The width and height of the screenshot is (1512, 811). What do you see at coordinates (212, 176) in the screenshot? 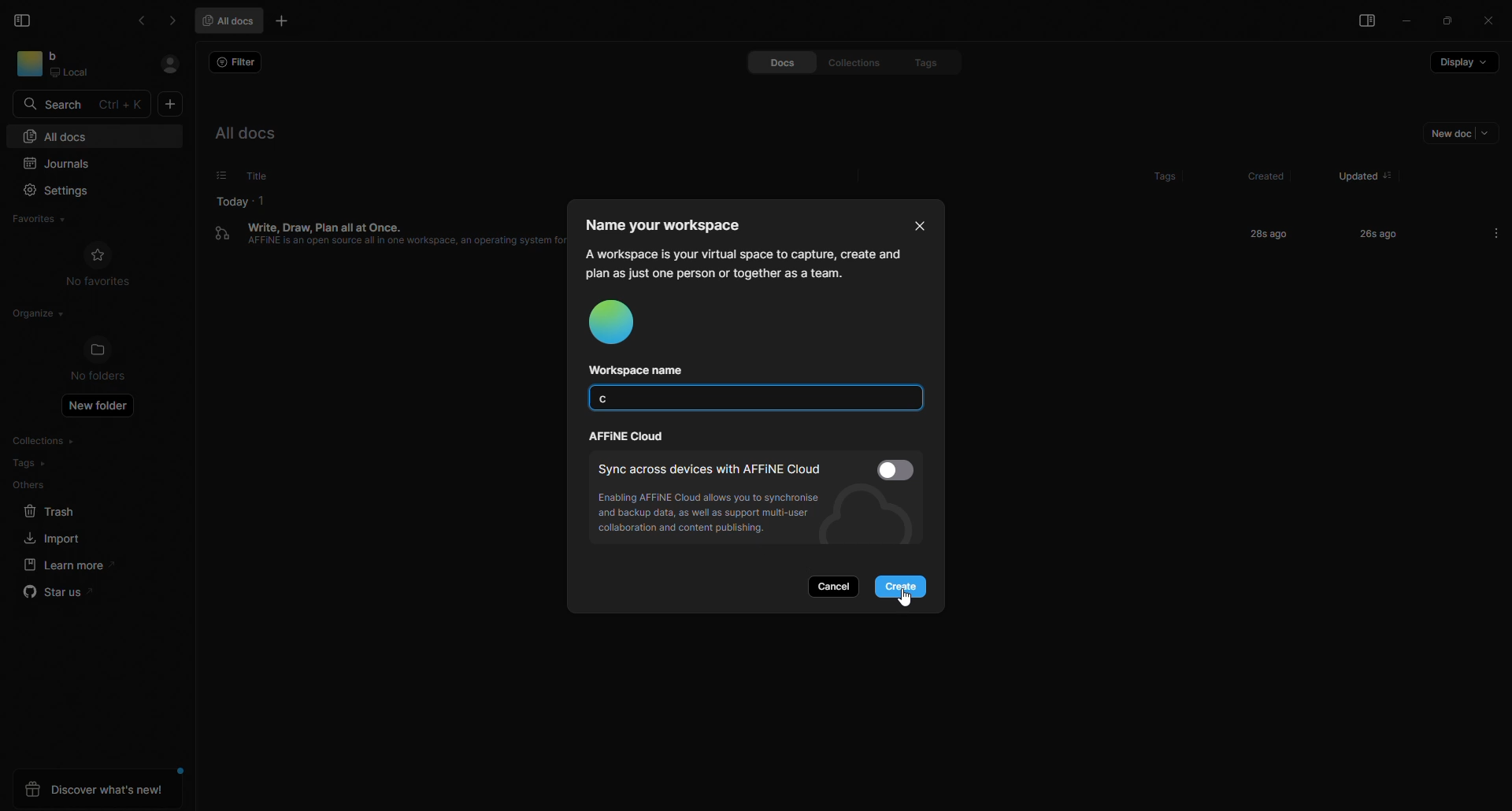
I see `select` at bounding box center [212, 176].